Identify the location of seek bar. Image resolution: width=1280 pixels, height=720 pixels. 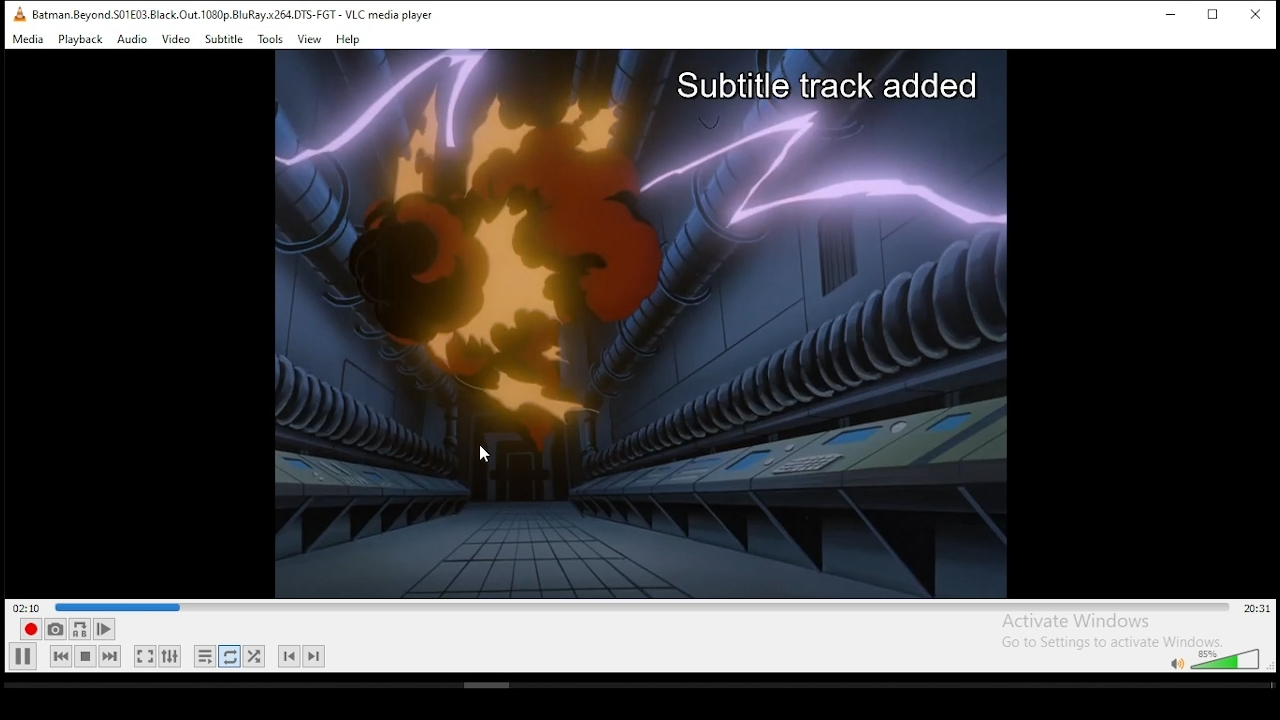
(642, 606).